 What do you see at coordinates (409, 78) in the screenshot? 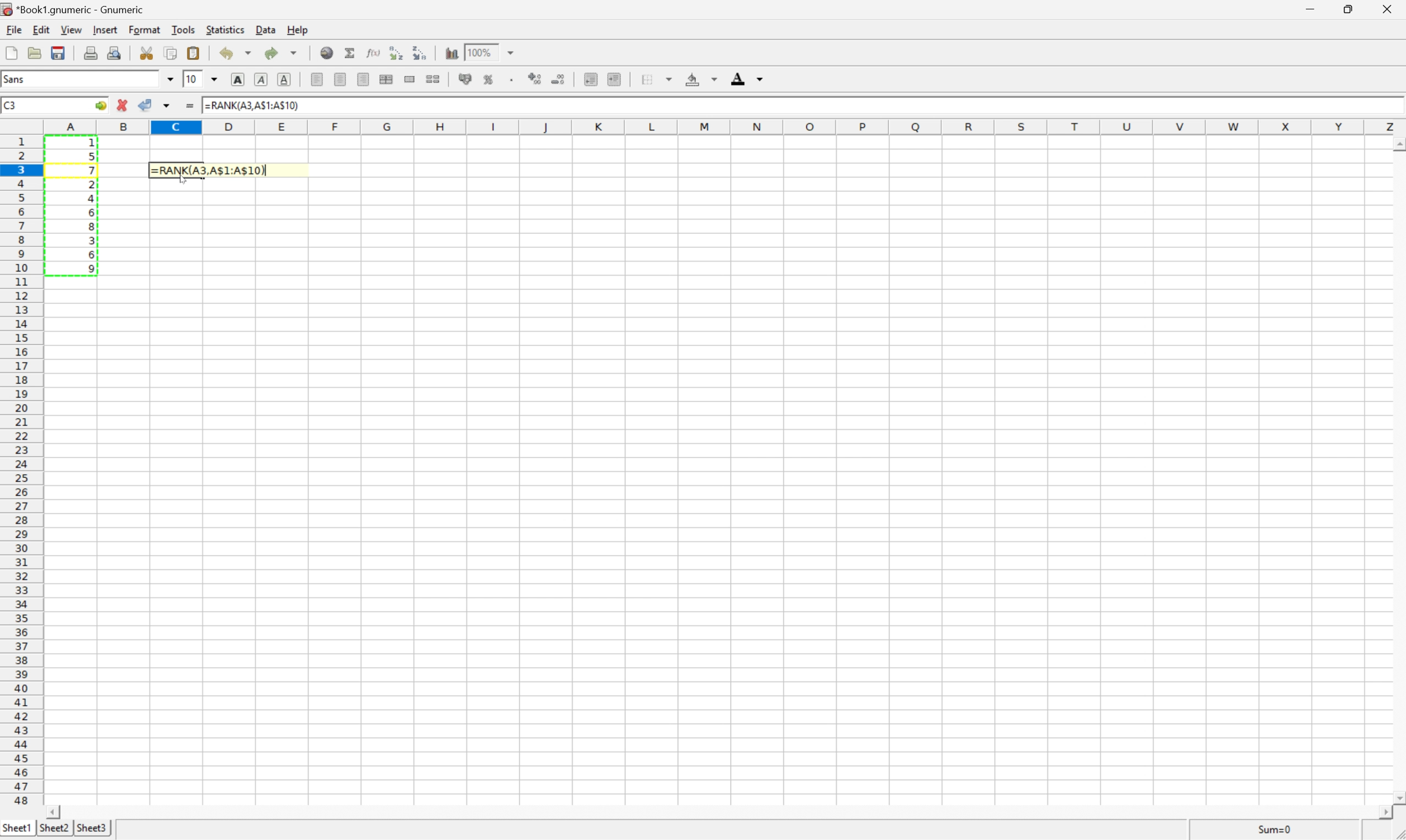
I see `merge range of cells` at bounding box center [409, 78].